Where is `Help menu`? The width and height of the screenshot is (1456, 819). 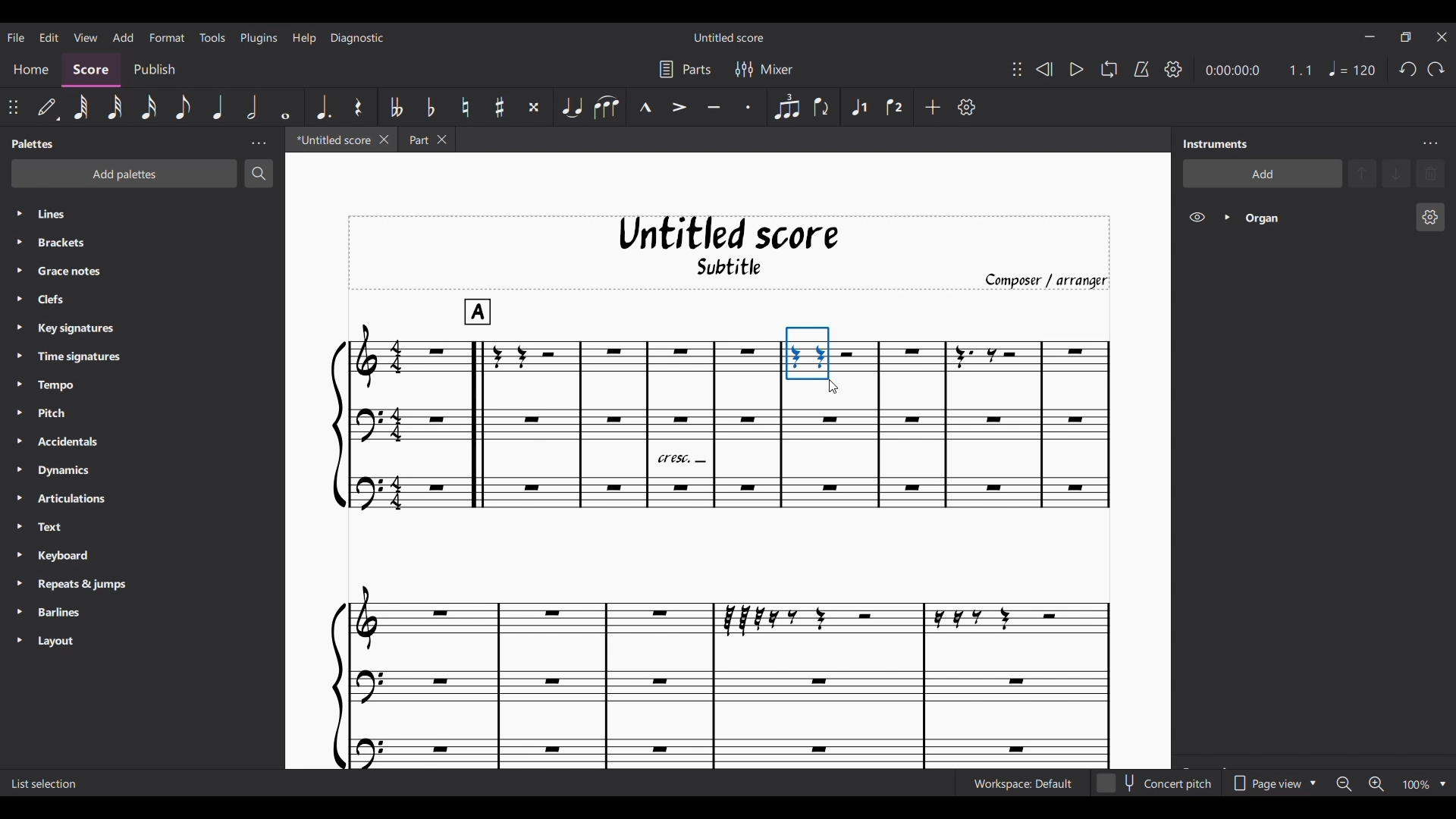
Help menu is located at coordinates (303, 38).